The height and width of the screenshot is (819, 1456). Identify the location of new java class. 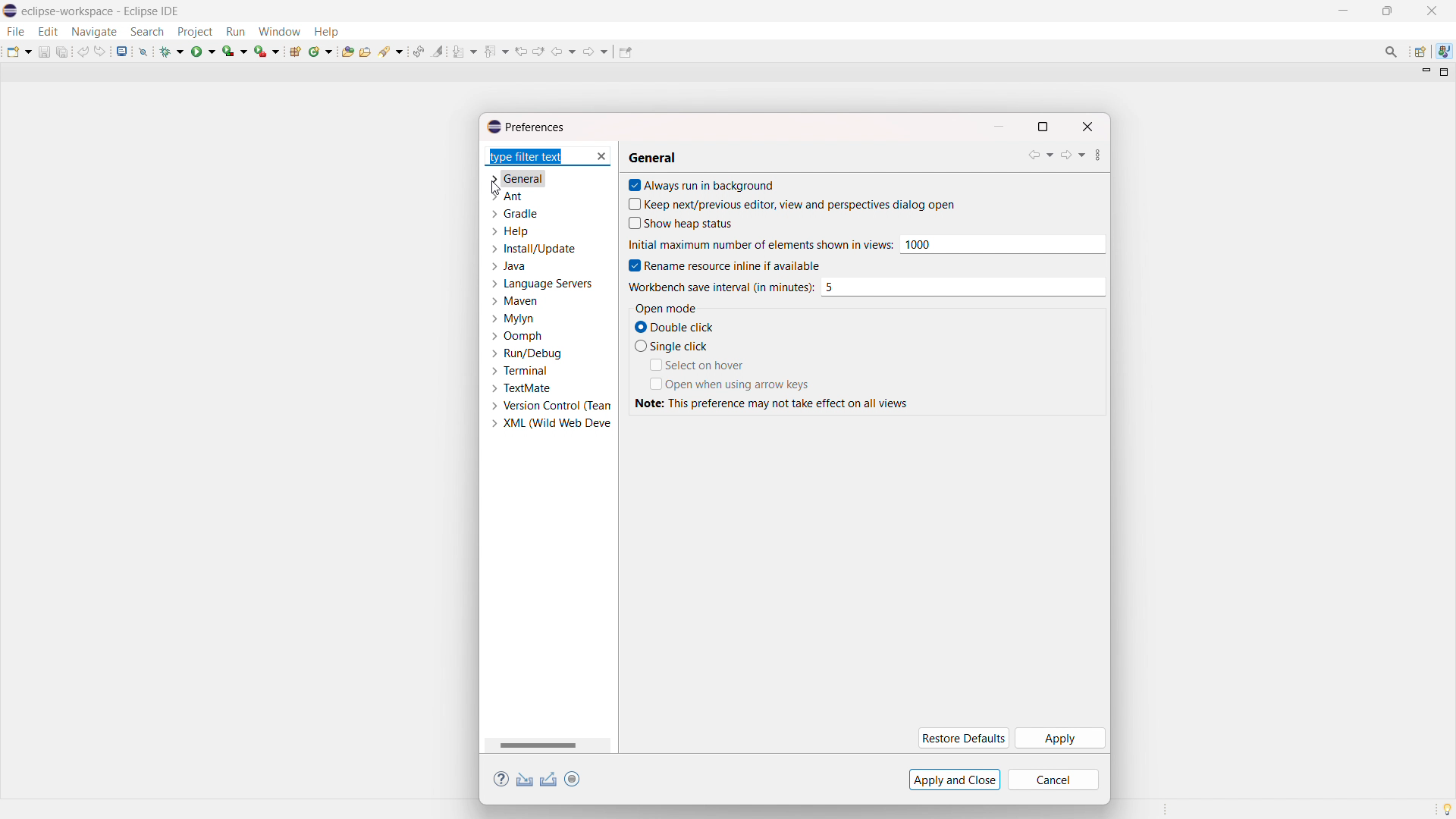
(322, 51).